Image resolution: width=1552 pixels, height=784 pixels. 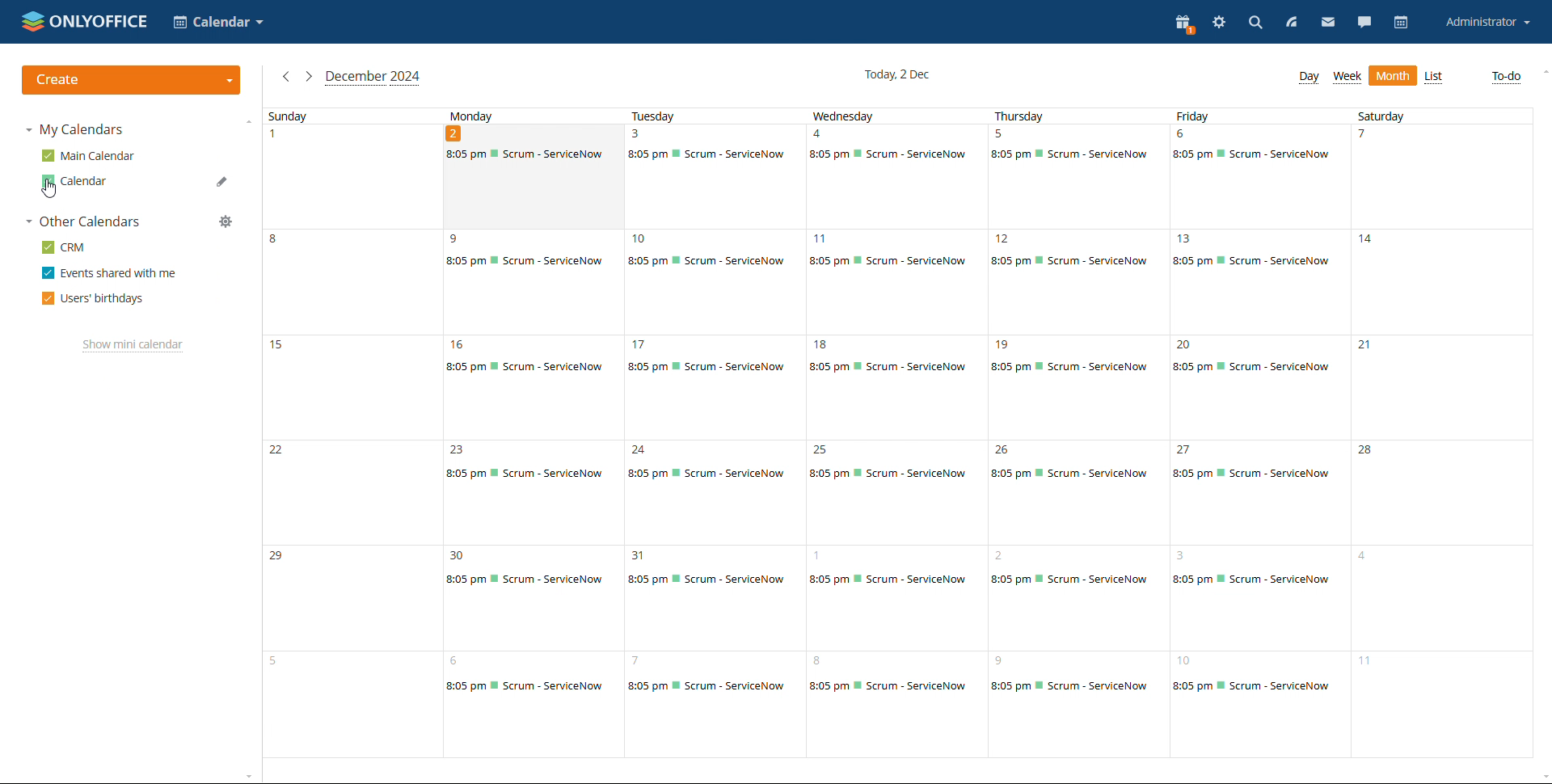 What do you see at coordinates (1254, 24) in the screenshot?
I see `search` at bounding box center [1254, 24].